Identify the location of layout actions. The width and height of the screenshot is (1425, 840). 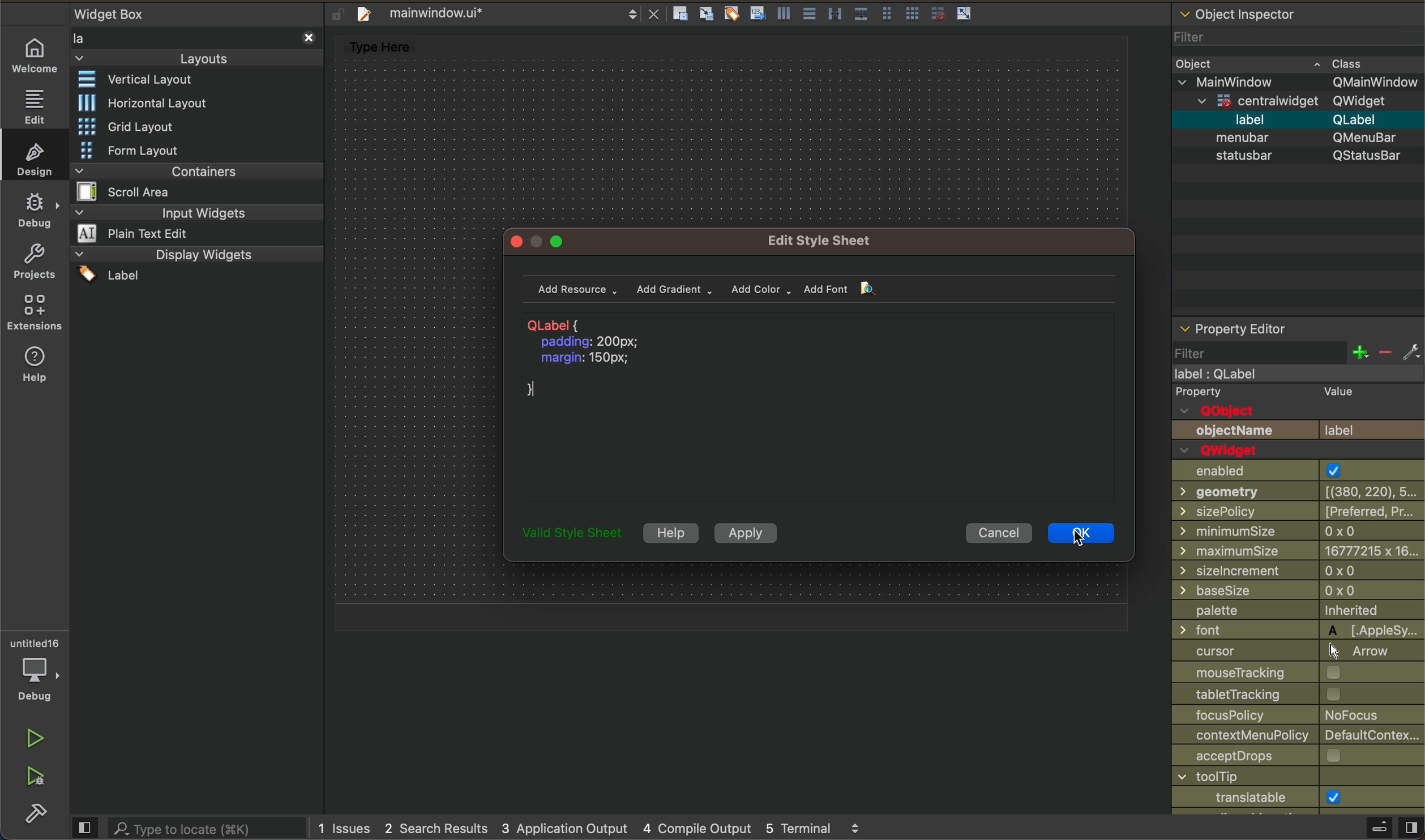
(832, 12).